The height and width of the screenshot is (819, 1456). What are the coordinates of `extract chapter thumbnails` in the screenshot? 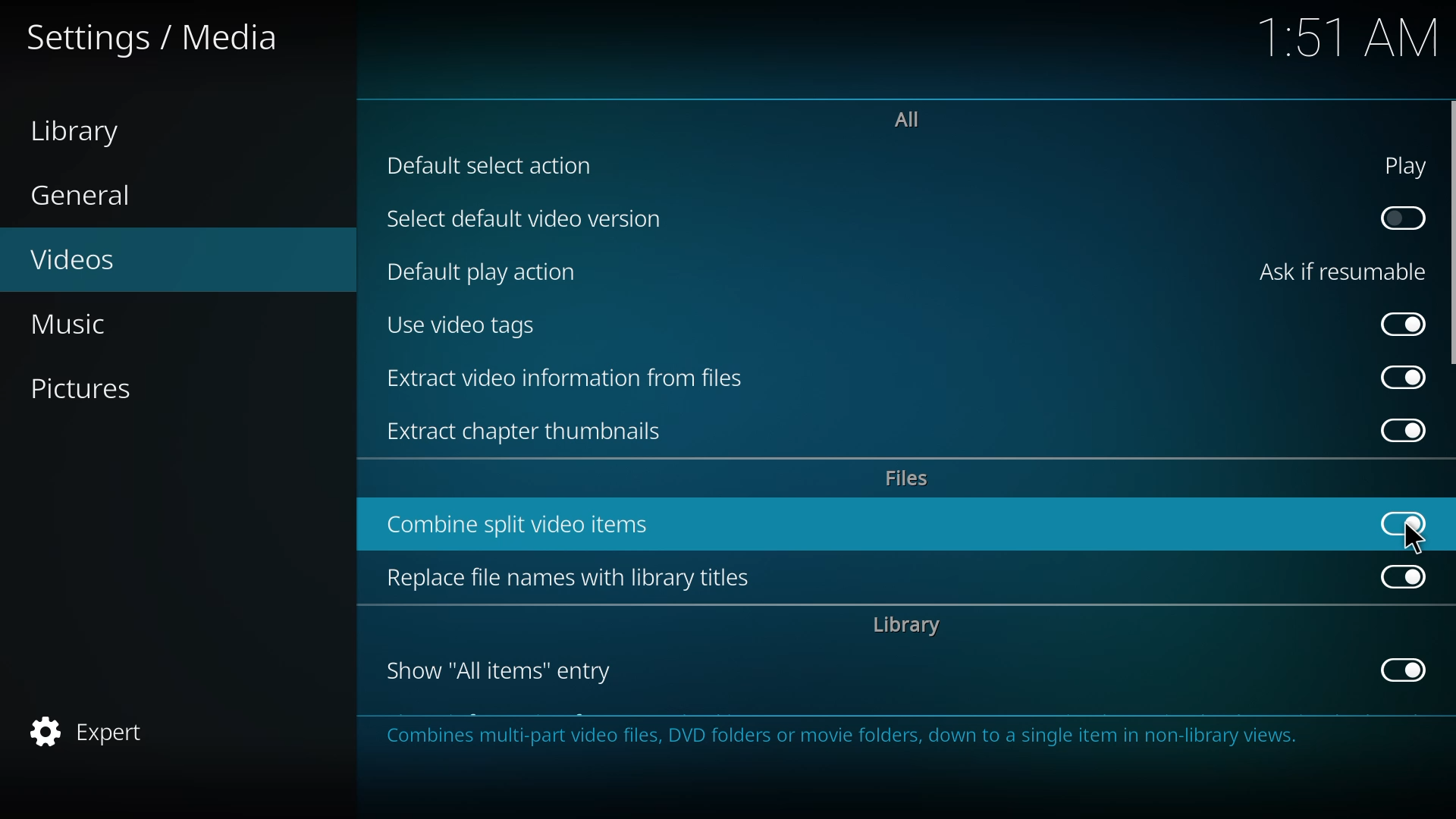 It's located at (534, 431).